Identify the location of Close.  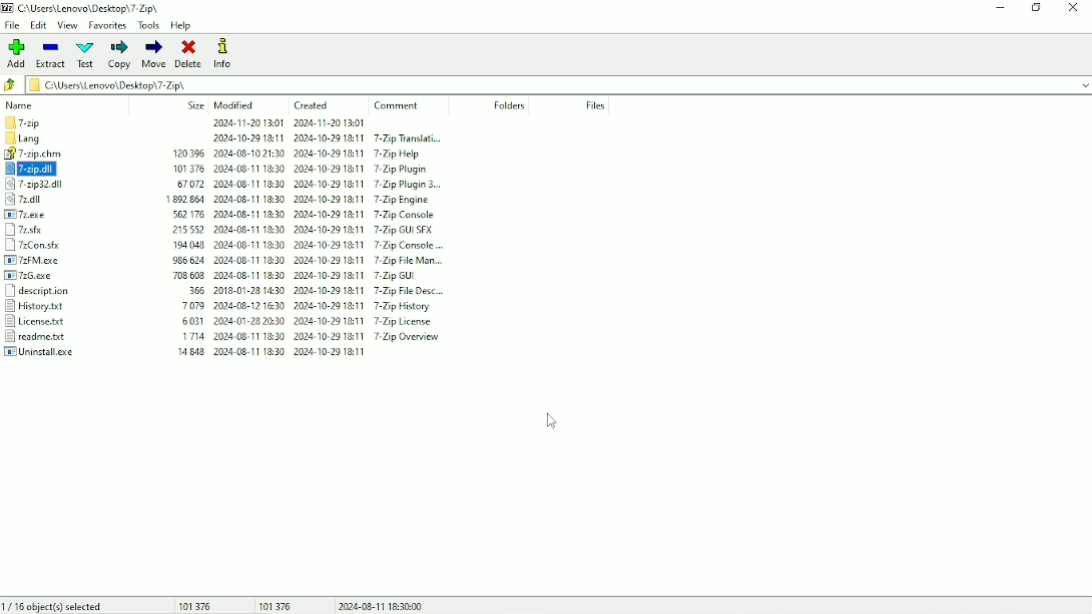
(1075, 7).